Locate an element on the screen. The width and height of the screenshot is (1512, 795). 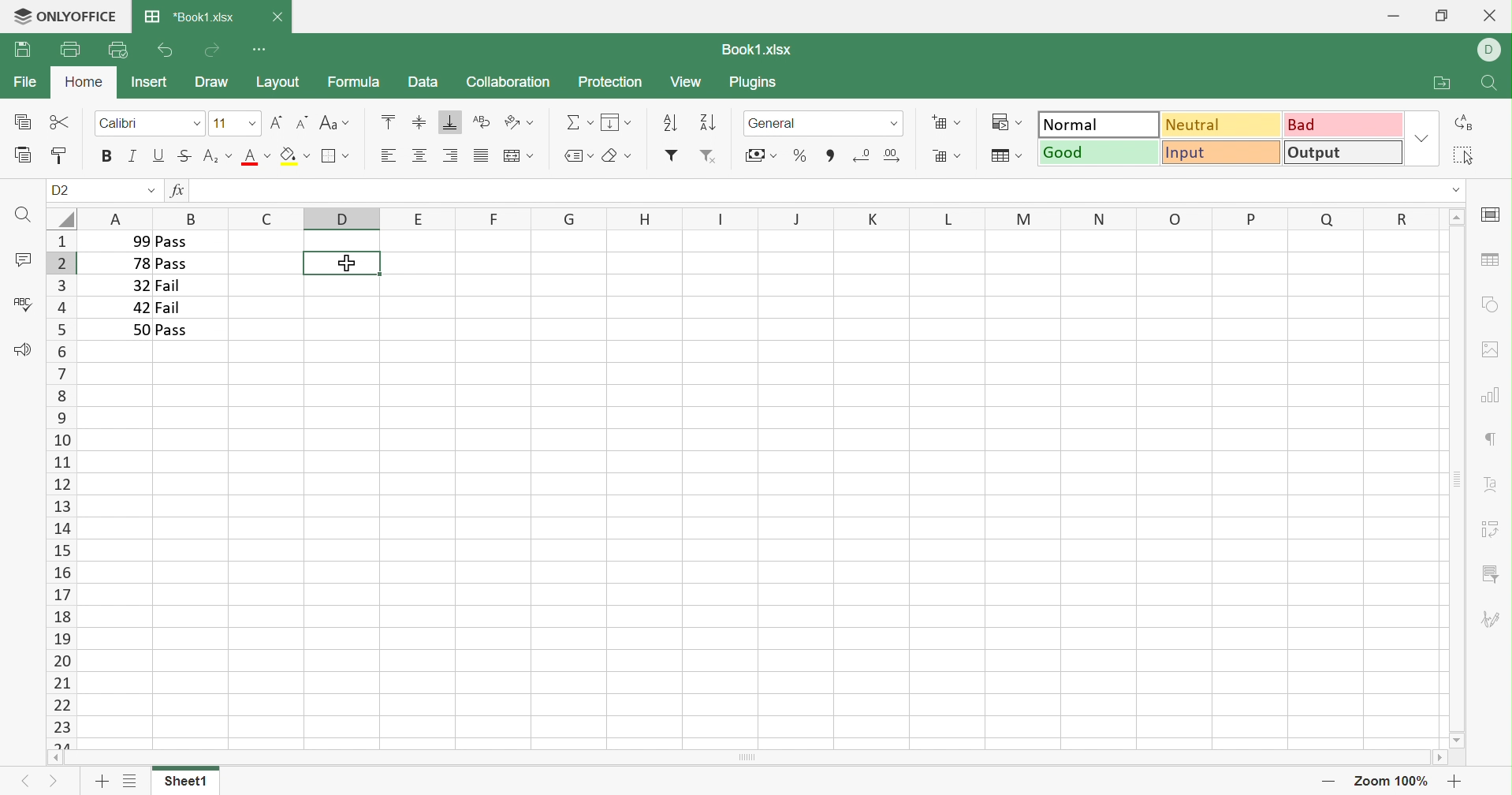
View is located at coordinates (686, 82).